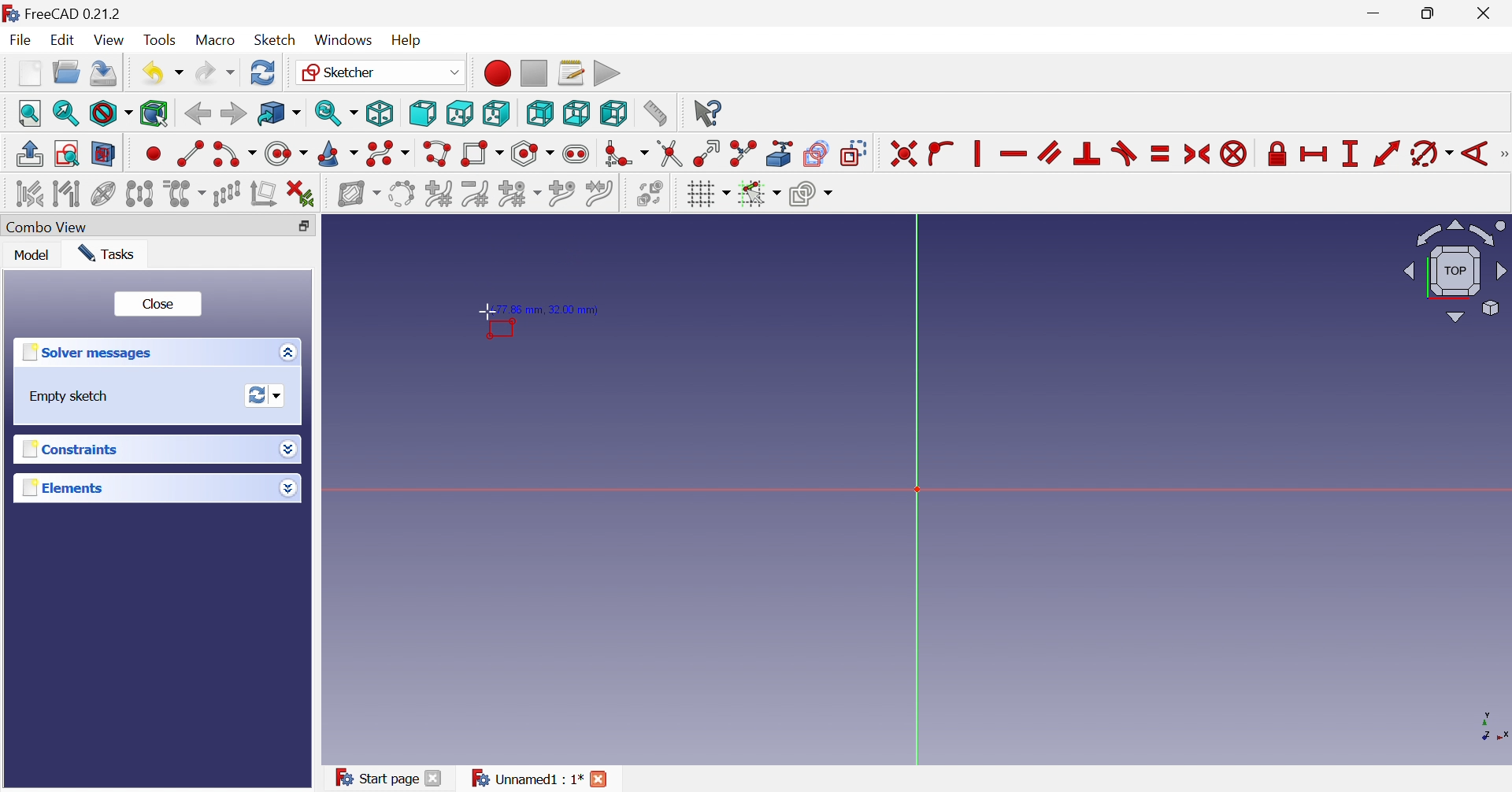 This screenshot has height=792, width=1512. What do you see at coordinates (376, 776) in the screenshot?
I see `Start page` at bounding box center [376, 776].